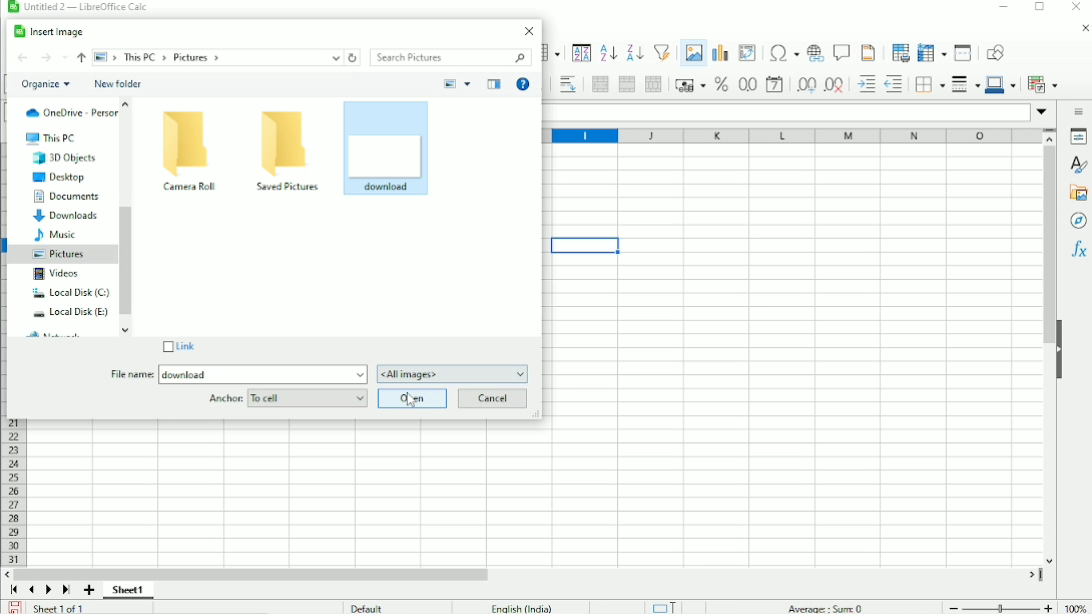  Describe the element at coordinates (14, 590) in the screenshot. I see `Scroll to first sheet` at that location.